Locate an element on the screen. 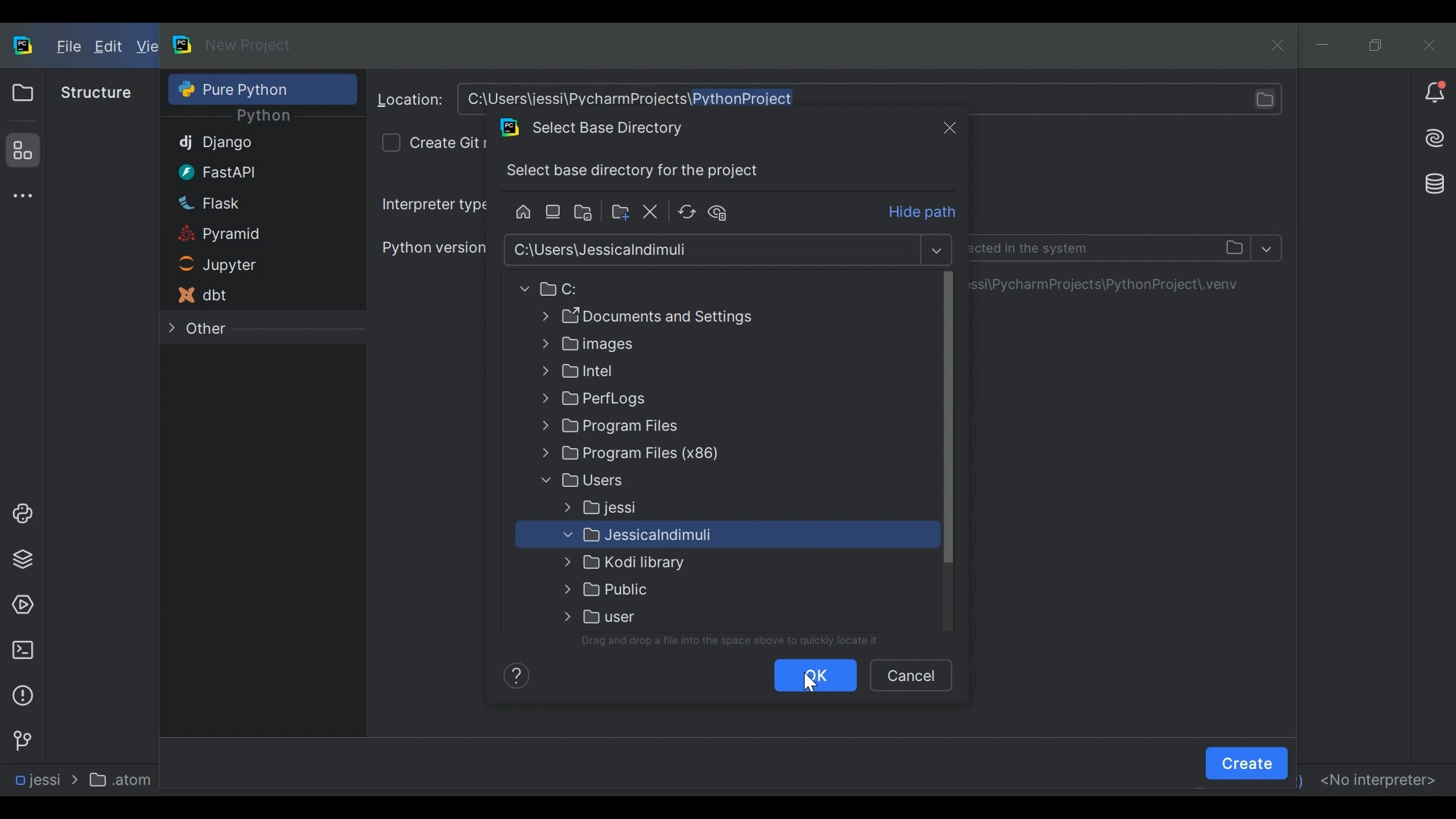  submenu Folder Path is located at coordinates (667, 589).